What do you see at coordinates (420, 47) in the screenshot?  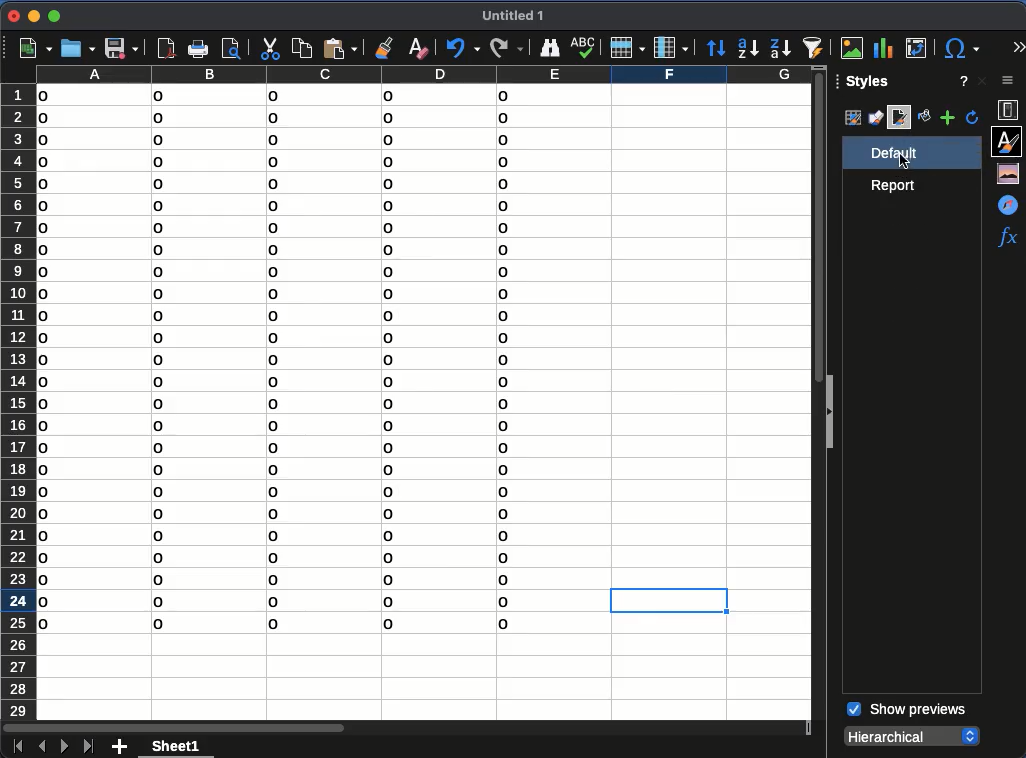 I see `clear formatting` at bounding box center [420, 47].